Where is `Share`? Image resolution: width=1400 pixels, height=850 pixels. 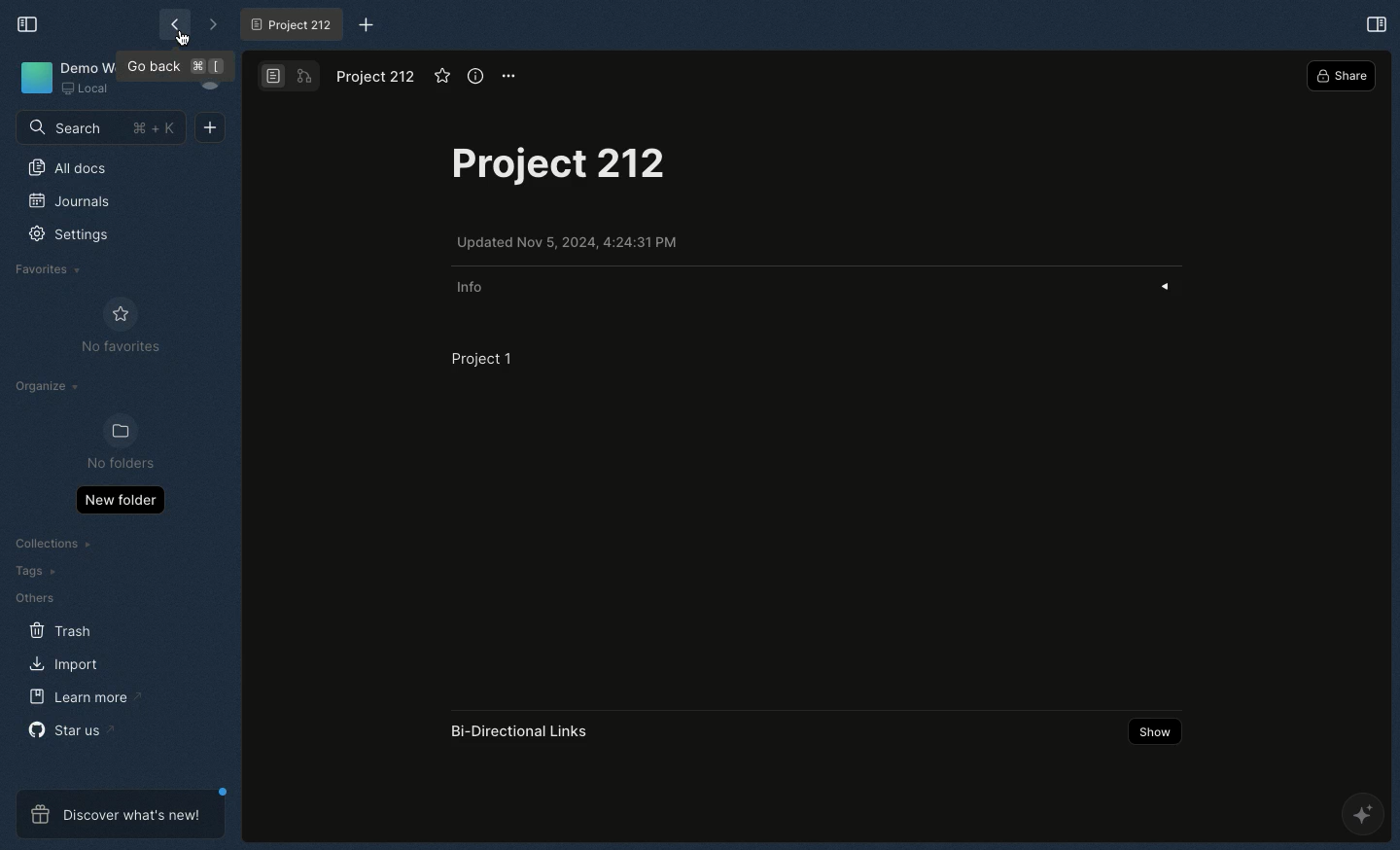
Share is located at coordinates (1342, 75).